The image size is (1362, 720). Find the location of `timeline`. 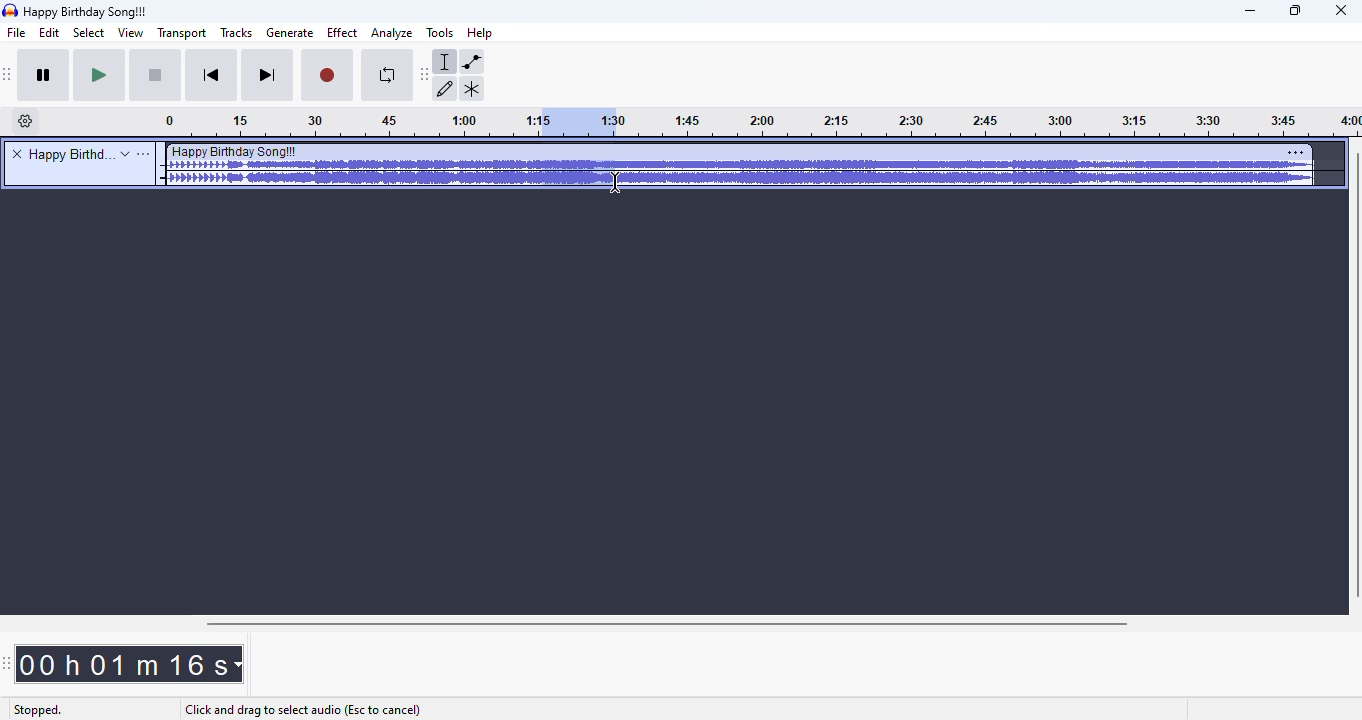

timeline is located at coordinates (989, 124).